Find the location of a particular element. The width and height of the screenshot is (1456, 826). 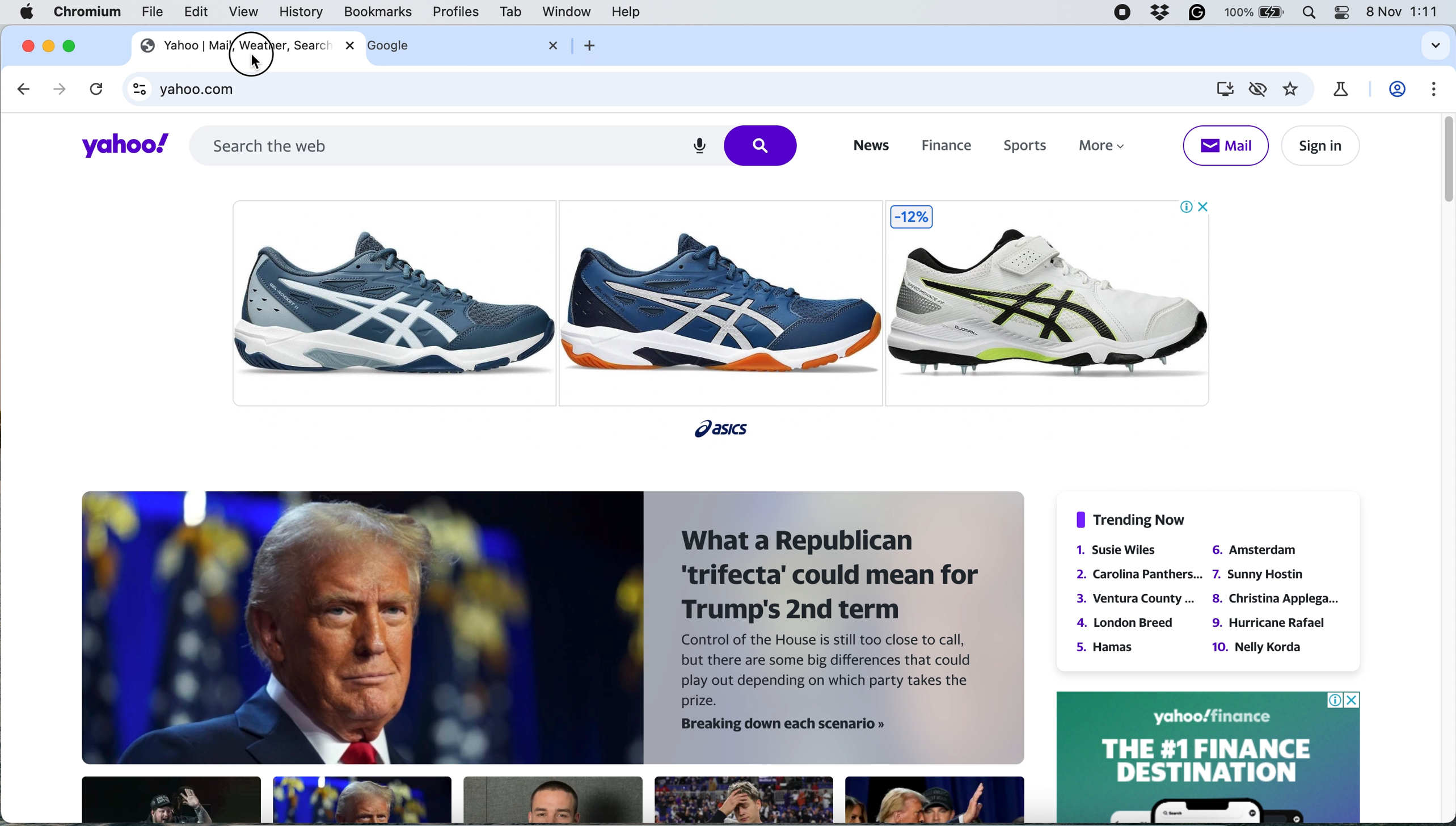

grammarly is located at coordinates (1198, 14).